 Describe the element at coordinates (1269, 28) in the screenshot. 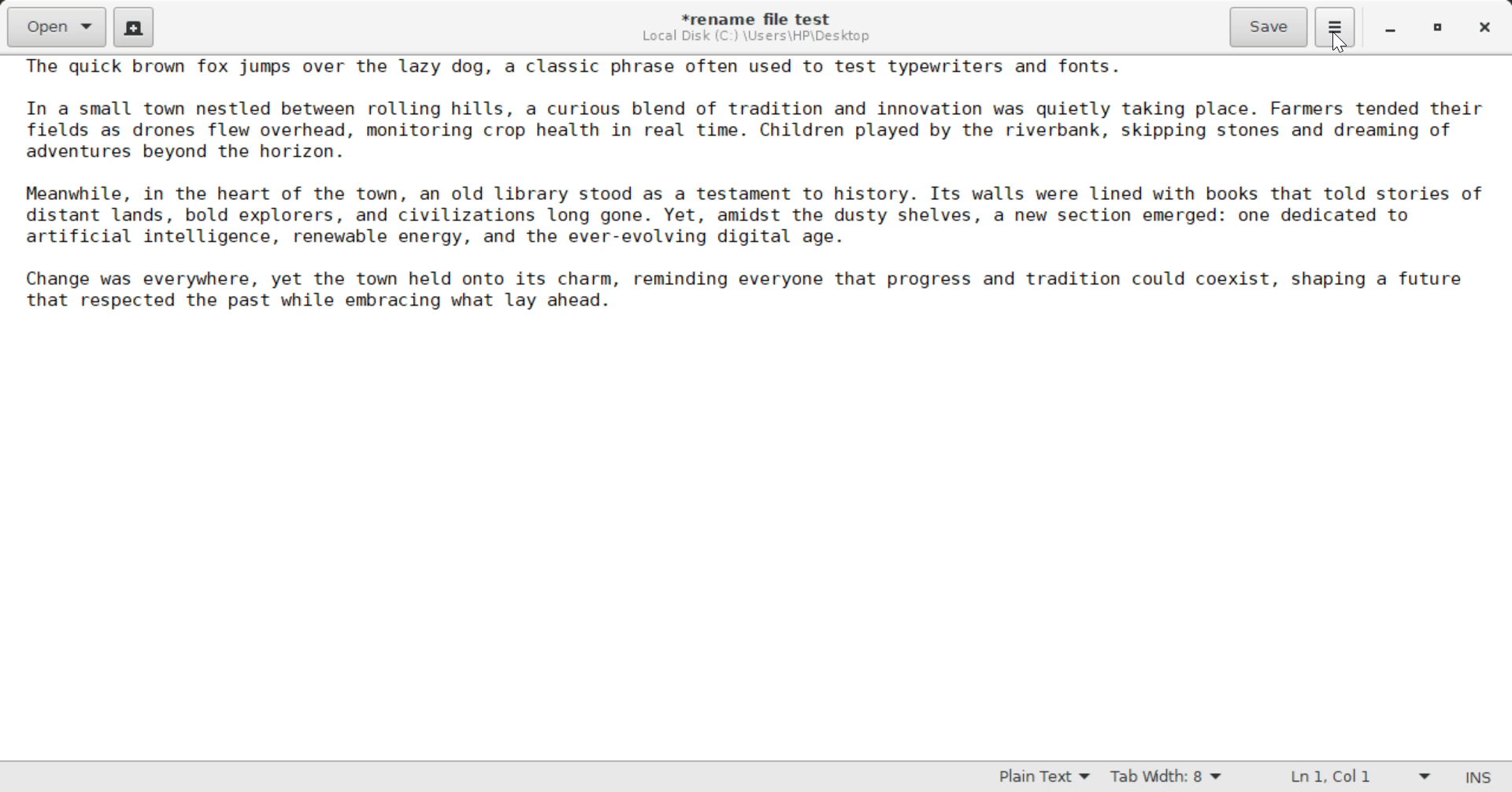

I see `Save` at that location.